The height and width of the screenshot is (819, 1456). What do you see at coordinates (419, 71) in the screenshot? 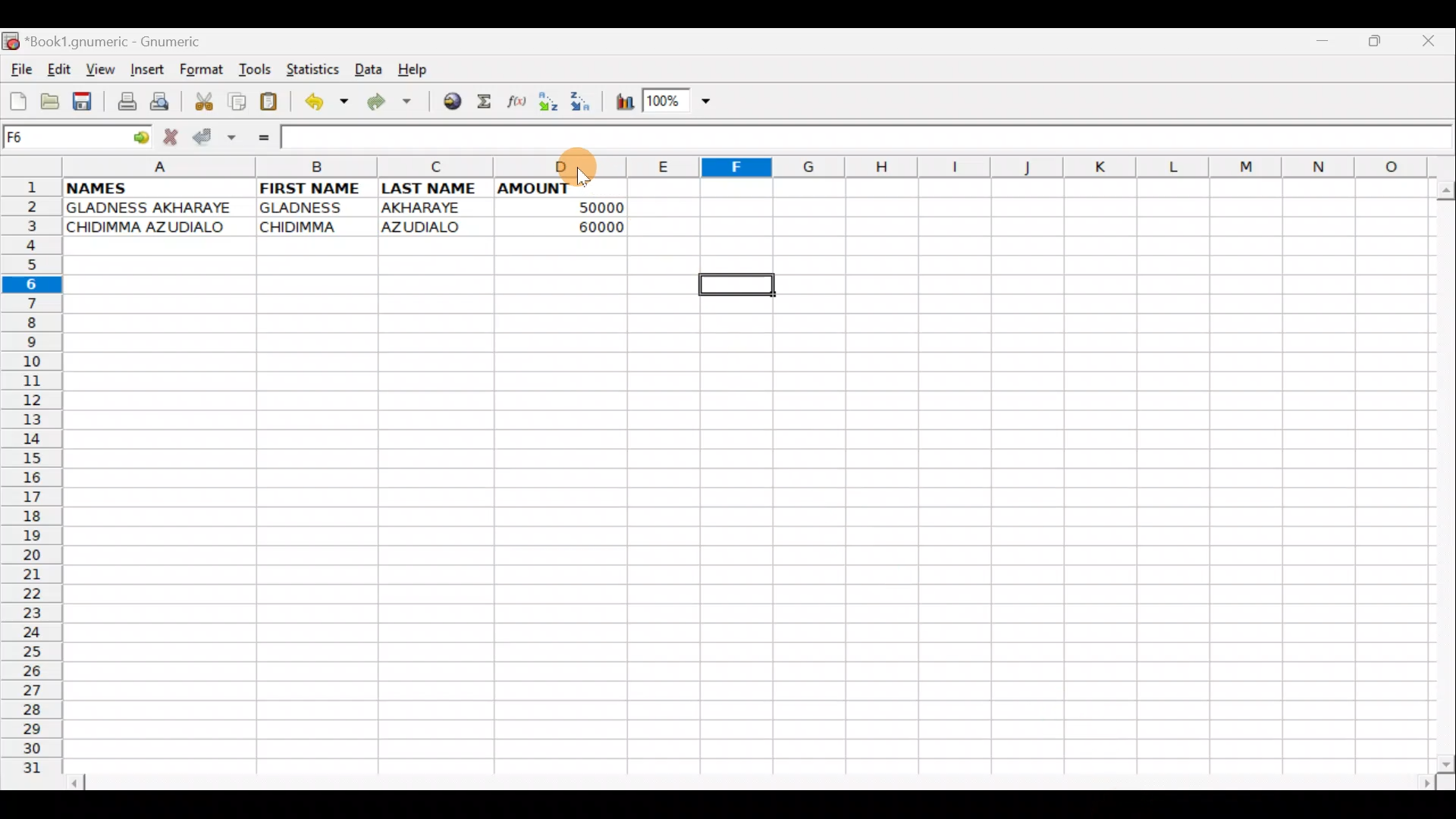
I see `Help` at bounding box center [419, 71].